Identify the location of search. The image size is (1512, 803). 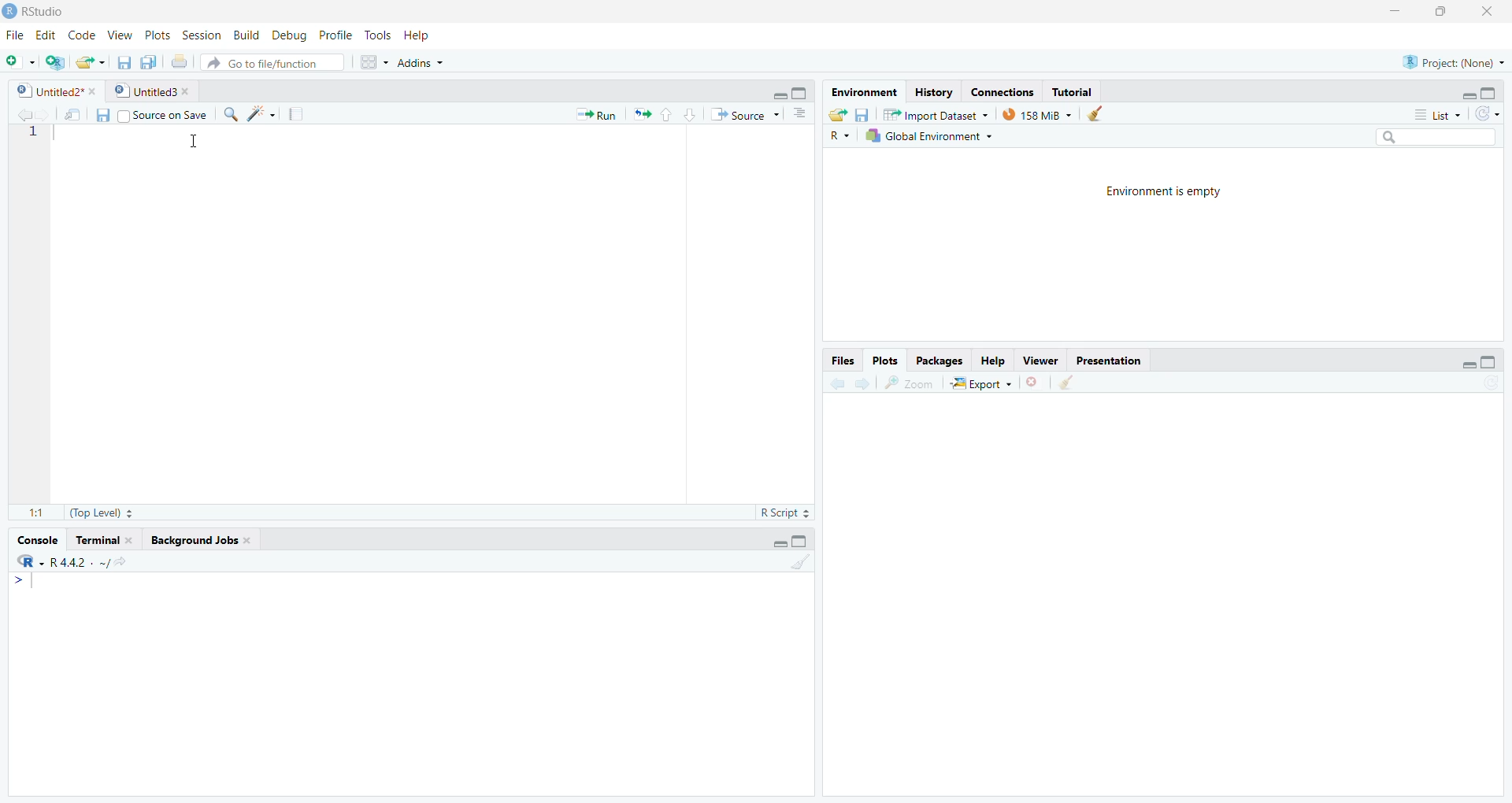
(1432, 138).